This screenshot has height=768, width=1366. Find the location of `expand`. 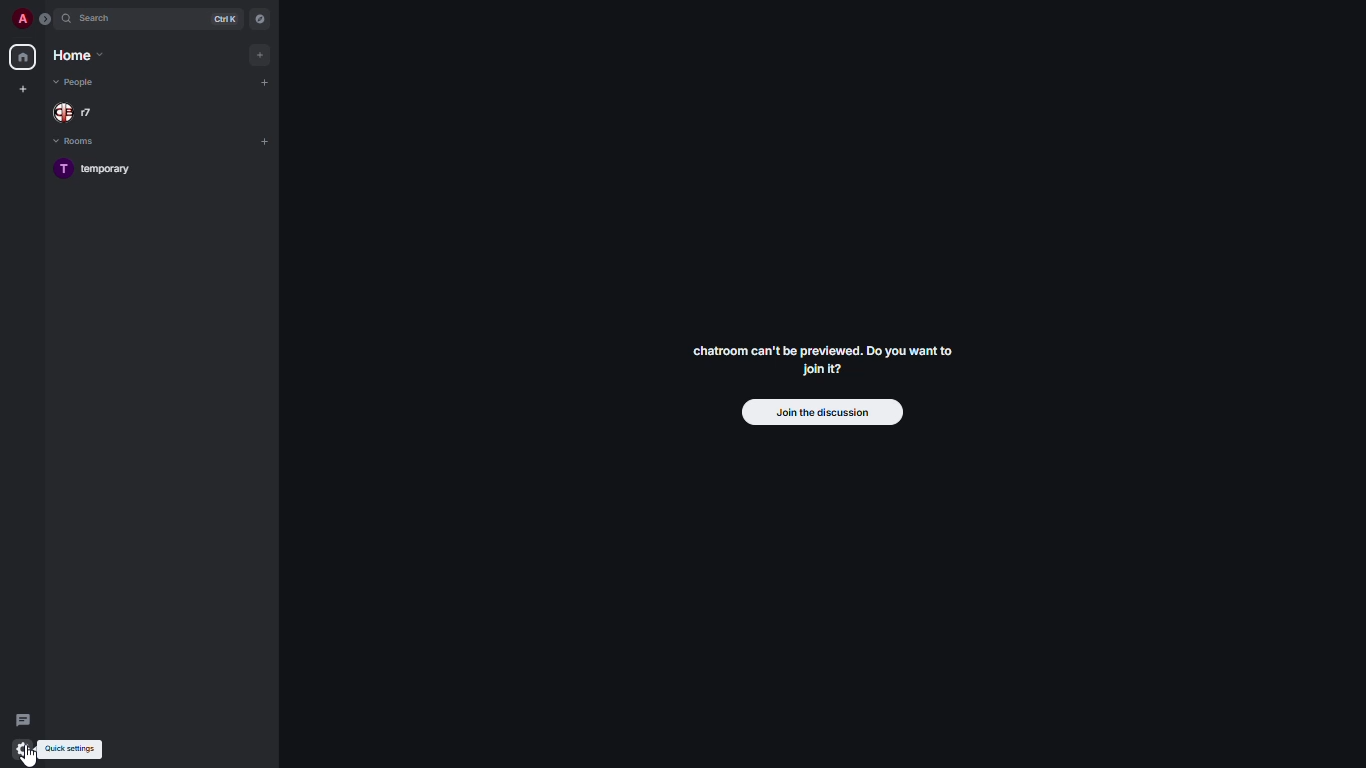

expand is located at coordinates (46, 19).